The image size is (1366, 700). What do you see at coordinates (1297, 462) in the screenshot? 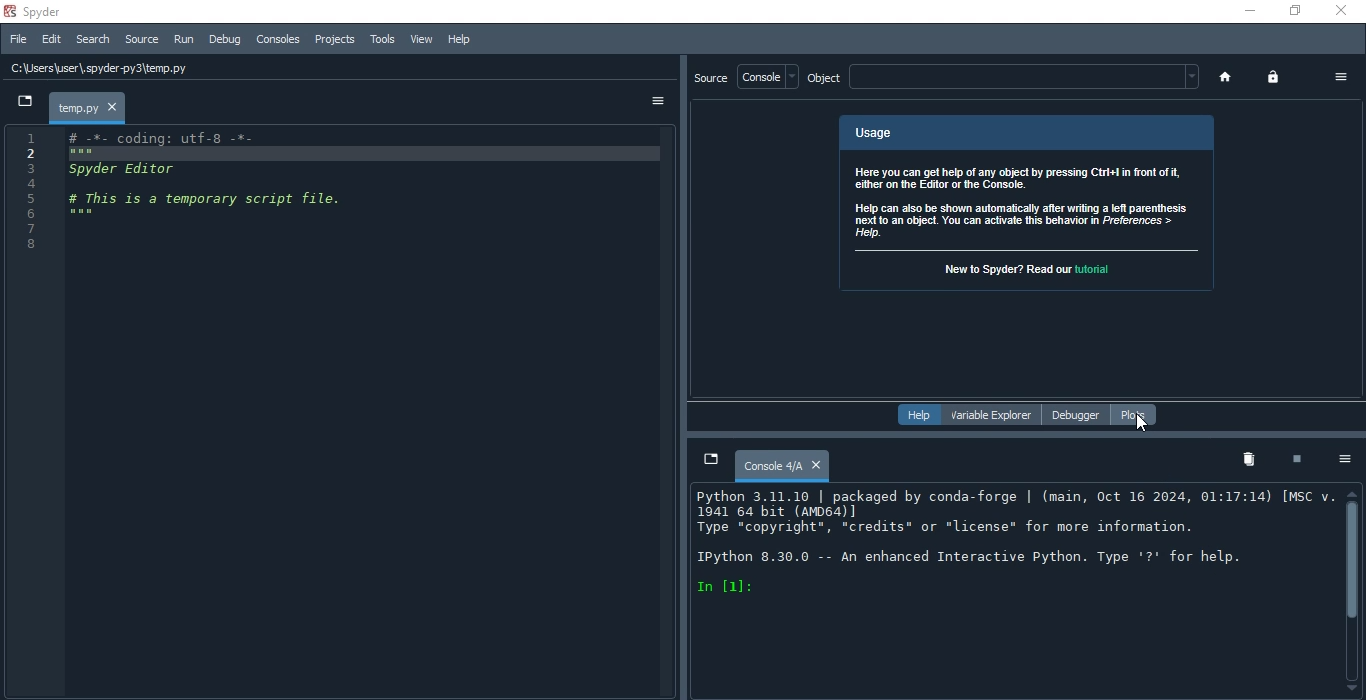
I see `stop` at bounding box center [1297, 462].